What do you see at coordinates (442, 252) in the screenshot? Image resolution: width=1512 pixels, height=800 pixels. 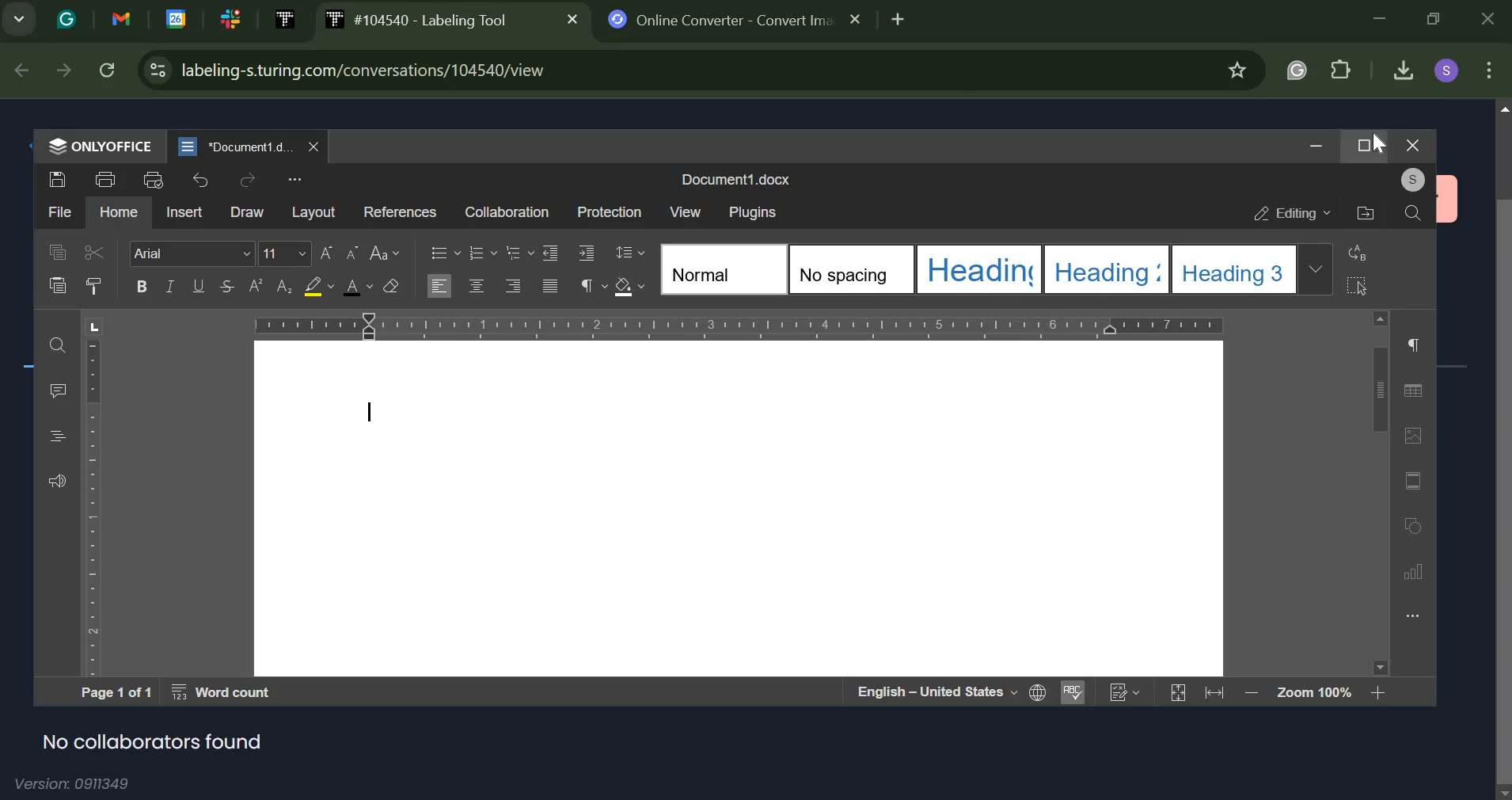 I see `bullets` at bounding box center [442, 252].